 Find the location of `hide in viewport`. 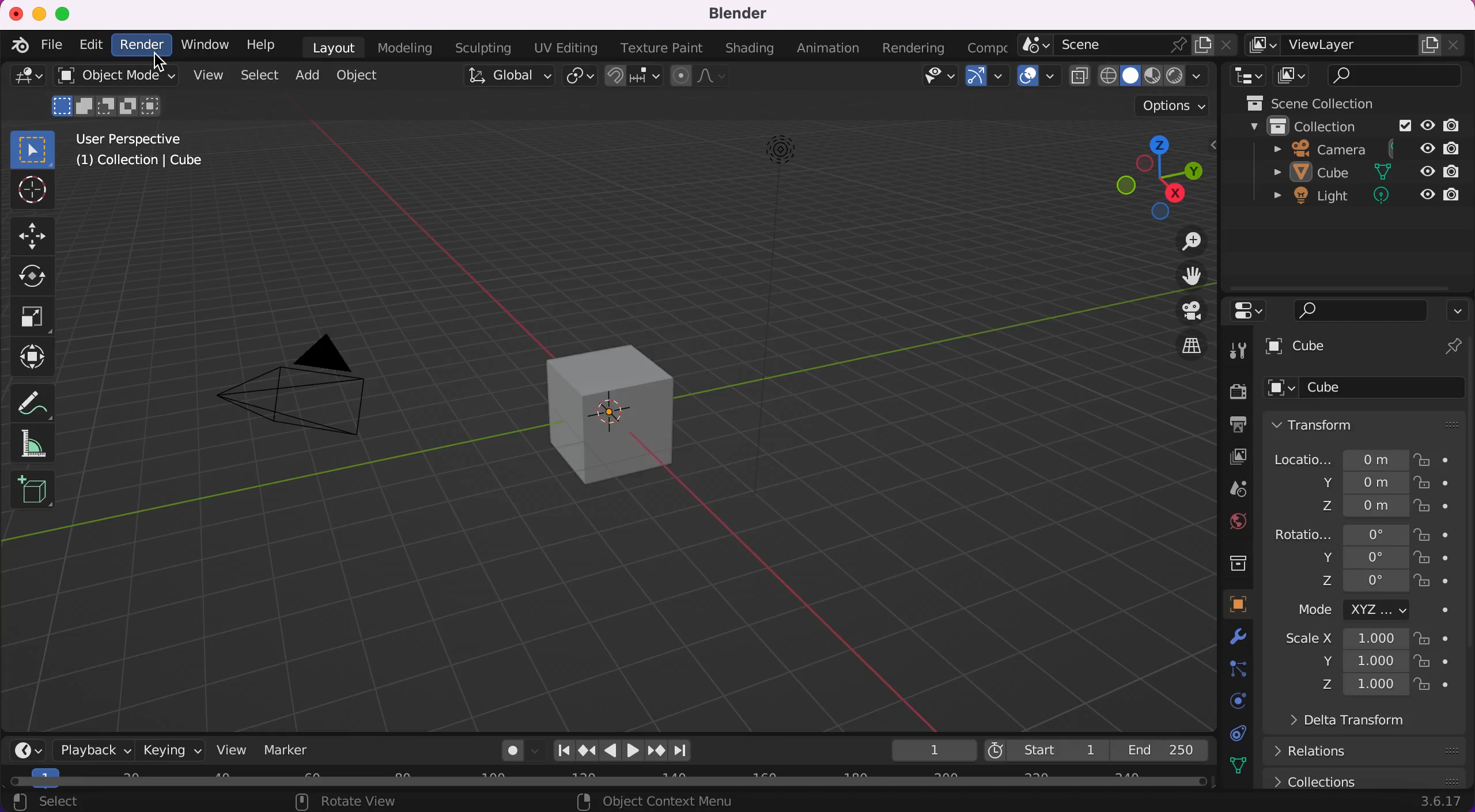

hide in viewport is located at coordinates (1427, 126).